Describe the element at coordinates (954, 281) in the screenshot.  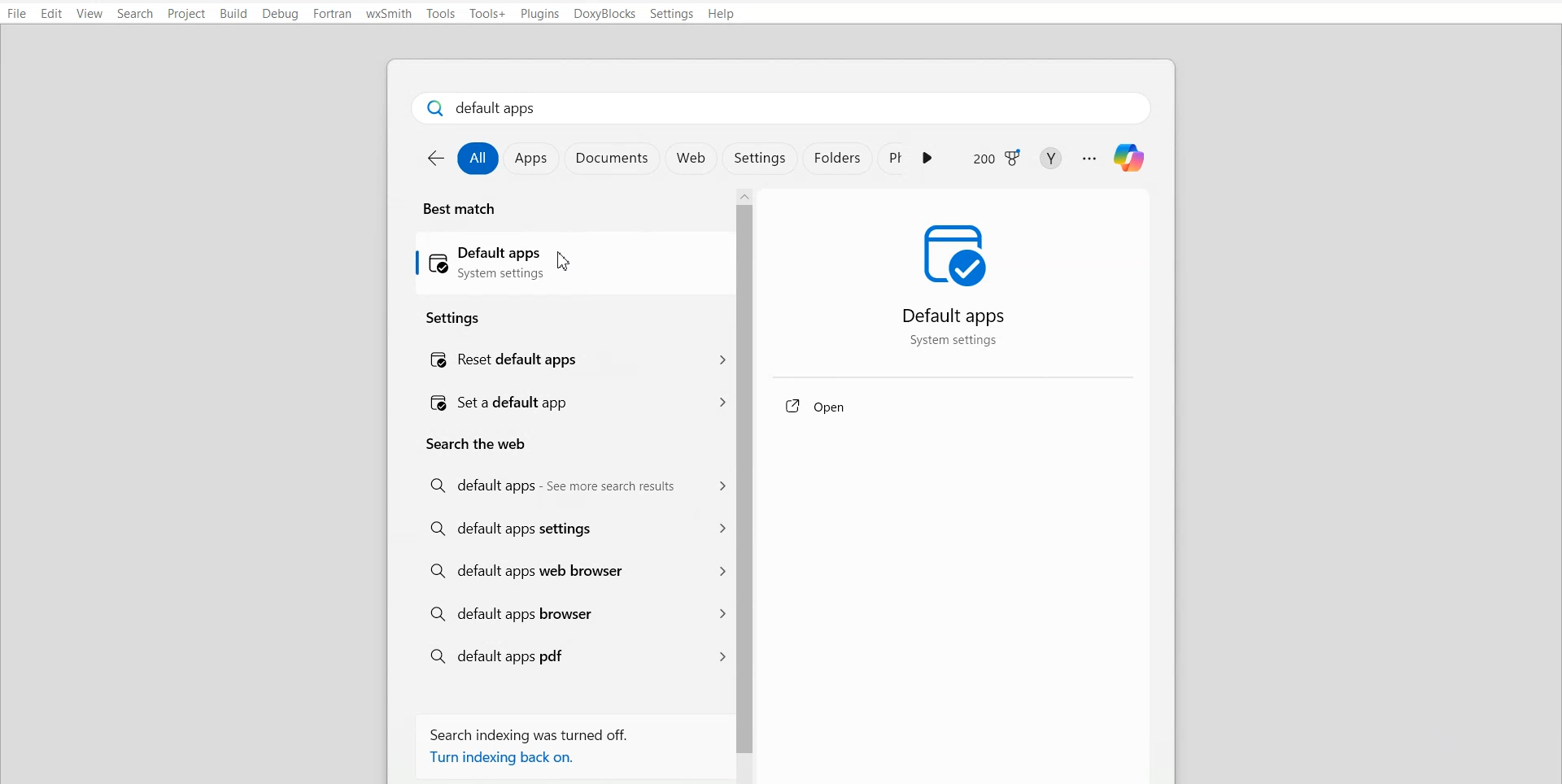
I see `Logo` at that location.